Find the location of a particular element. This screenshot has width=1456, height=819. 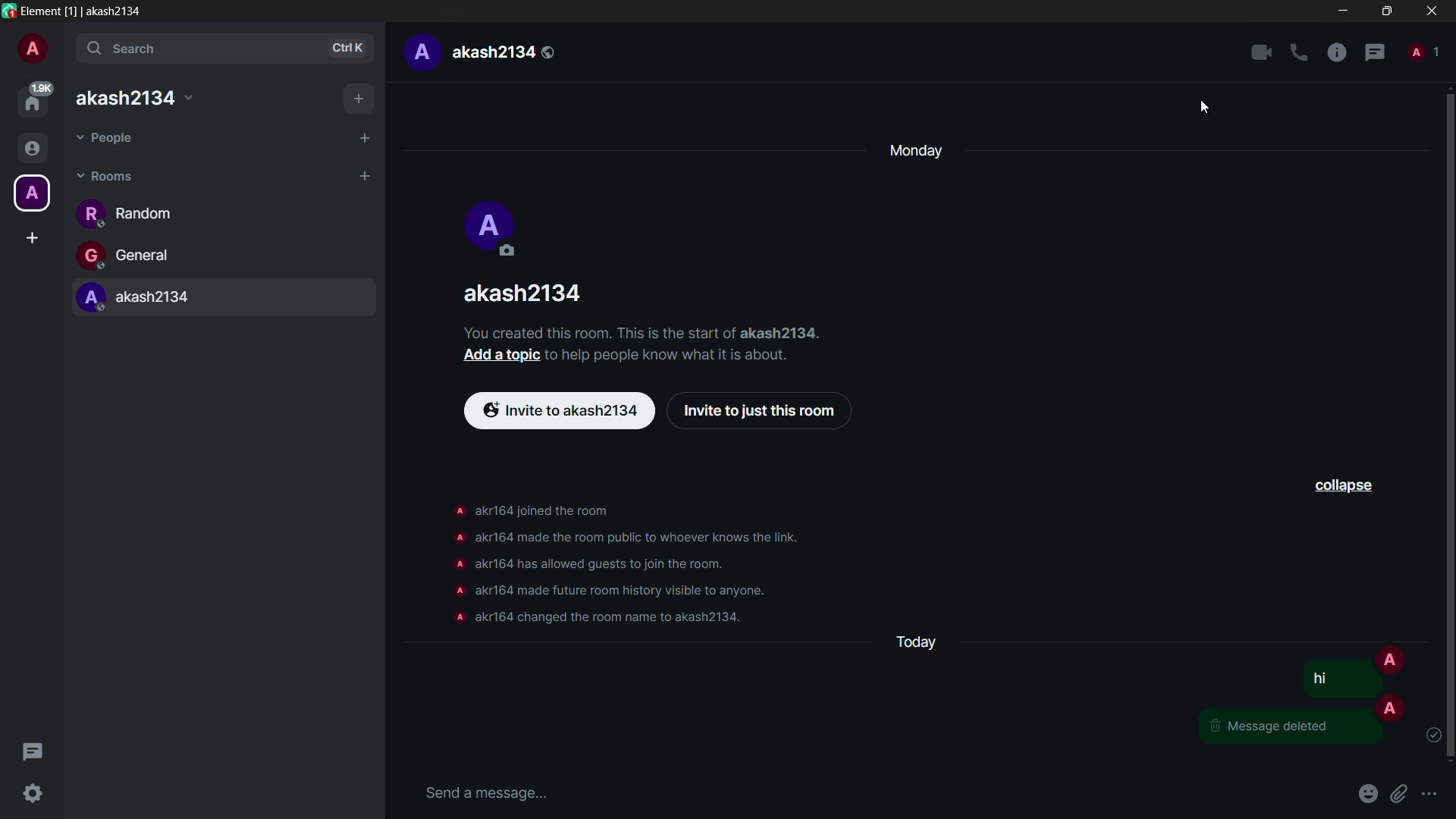

Rooms is located at coordinates (133, 175).